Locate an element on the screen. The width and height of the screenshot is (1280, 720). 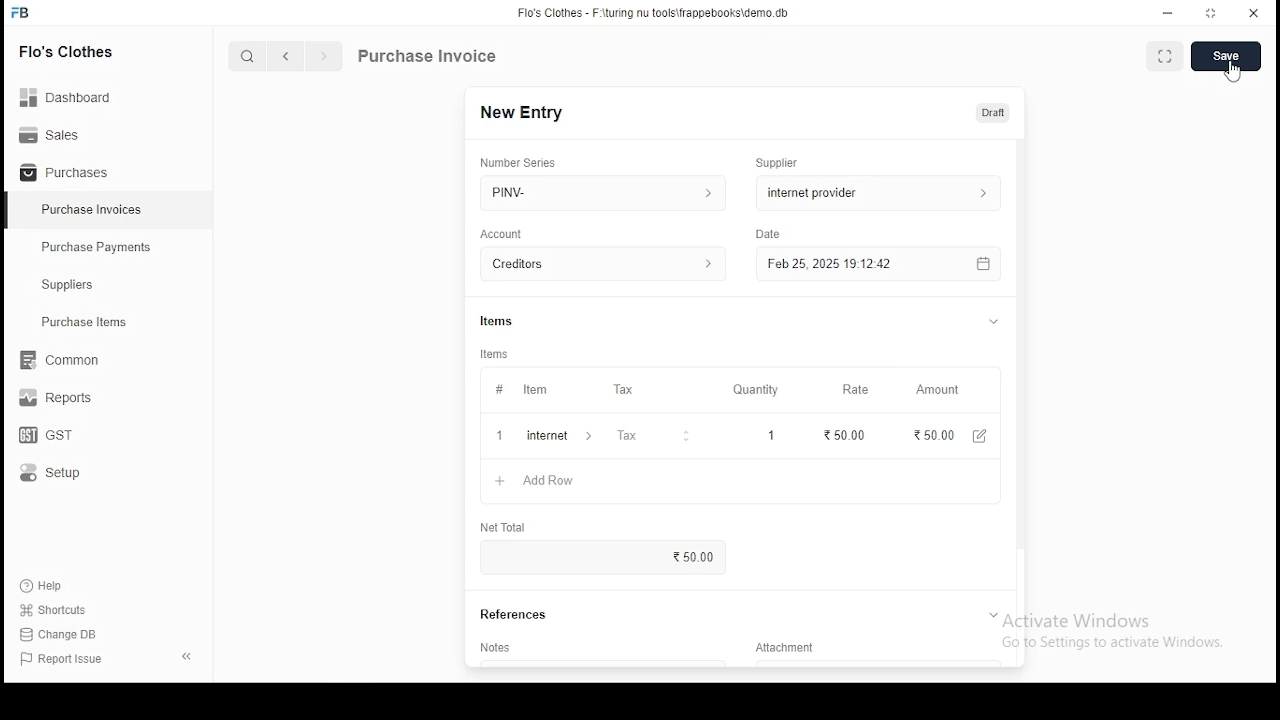
toggle between form and fullscreen  is located at coordinates (1166, 58).